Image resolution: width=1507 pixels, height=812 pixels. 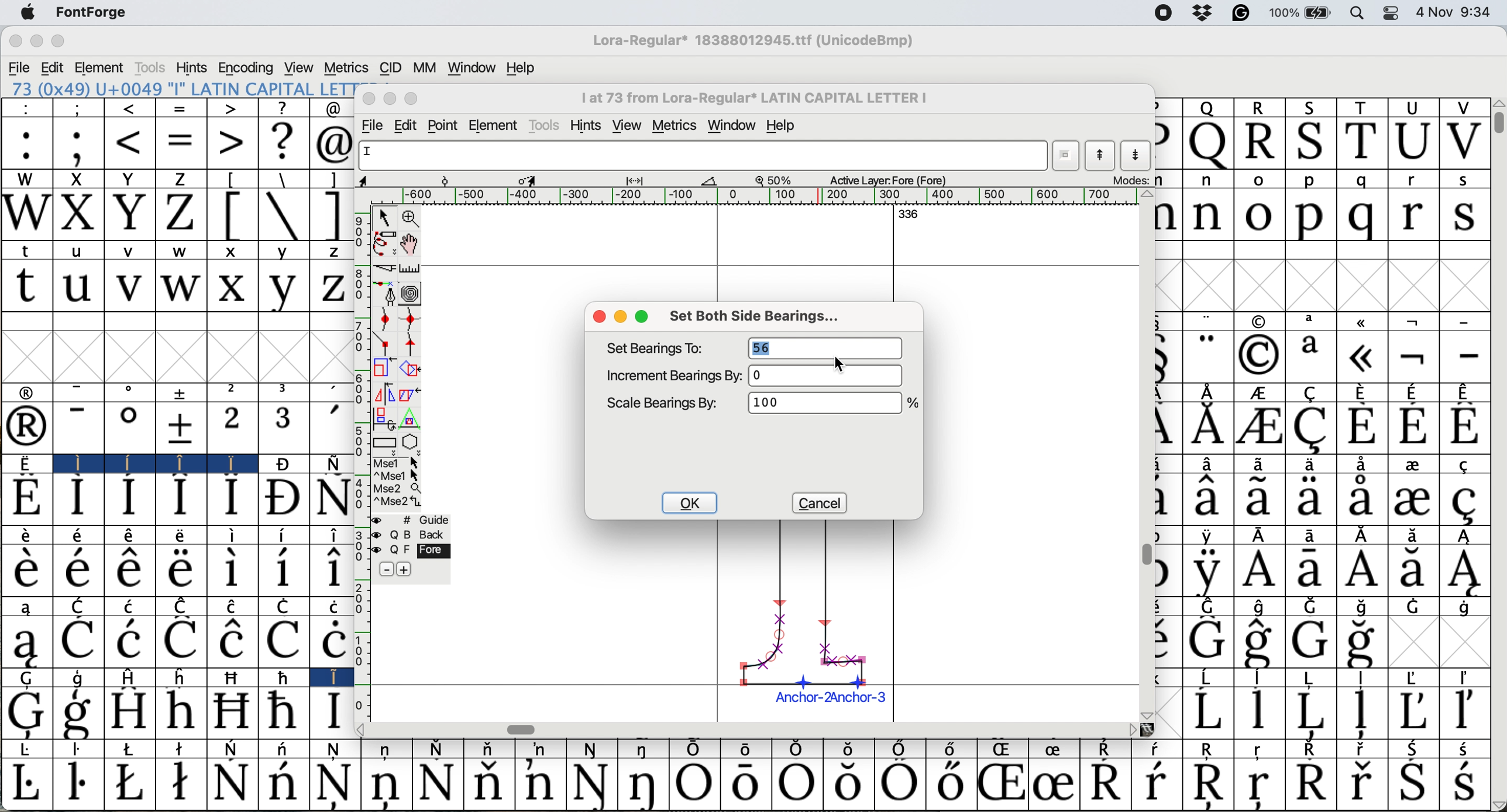 What do you see at coordinates (130, 144) in the screenshot?
I see `<` at bounding box center [130, 144].